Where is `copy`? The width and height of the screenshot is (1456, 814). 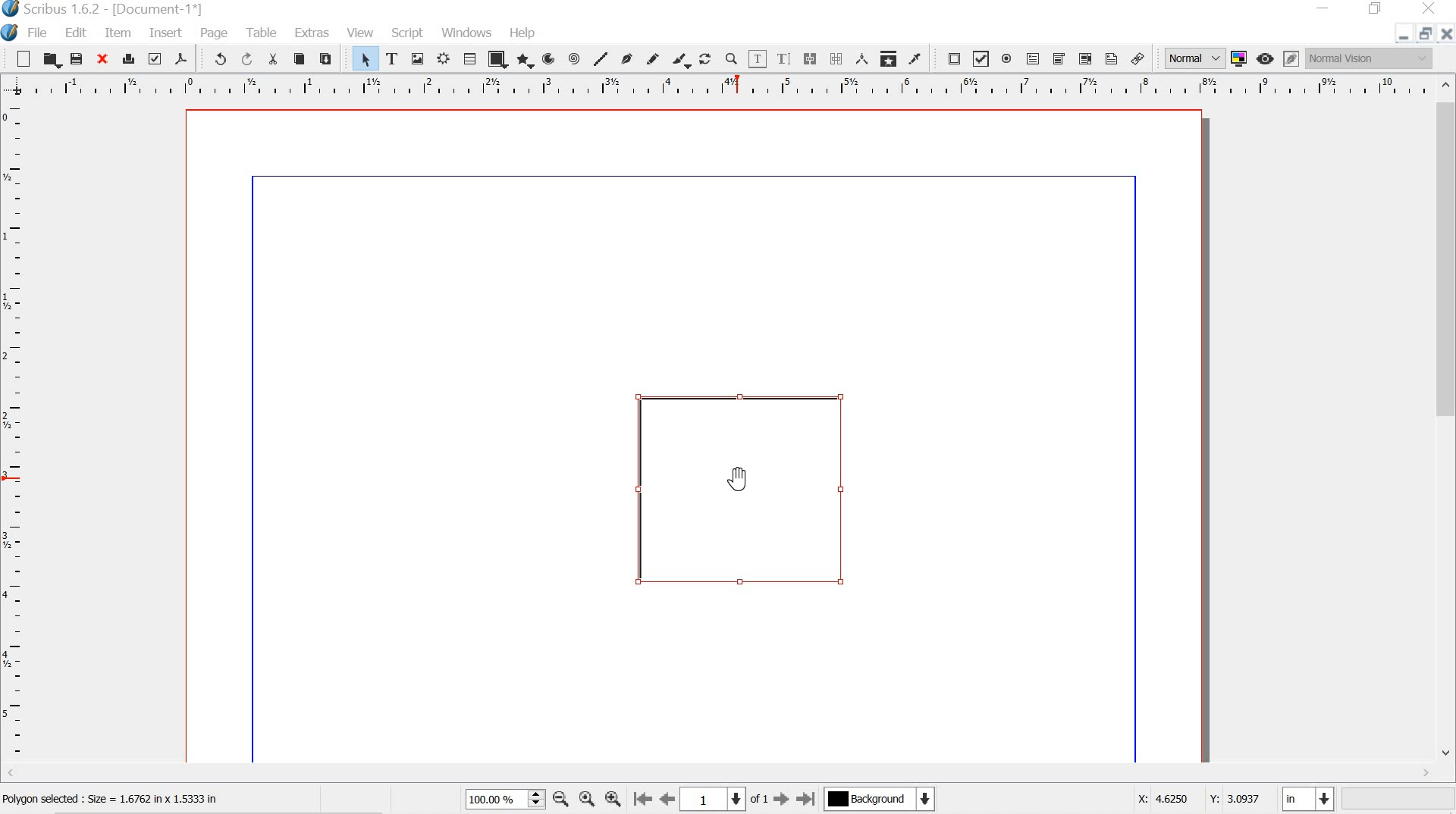 copy is located at coordinates (300, 59).